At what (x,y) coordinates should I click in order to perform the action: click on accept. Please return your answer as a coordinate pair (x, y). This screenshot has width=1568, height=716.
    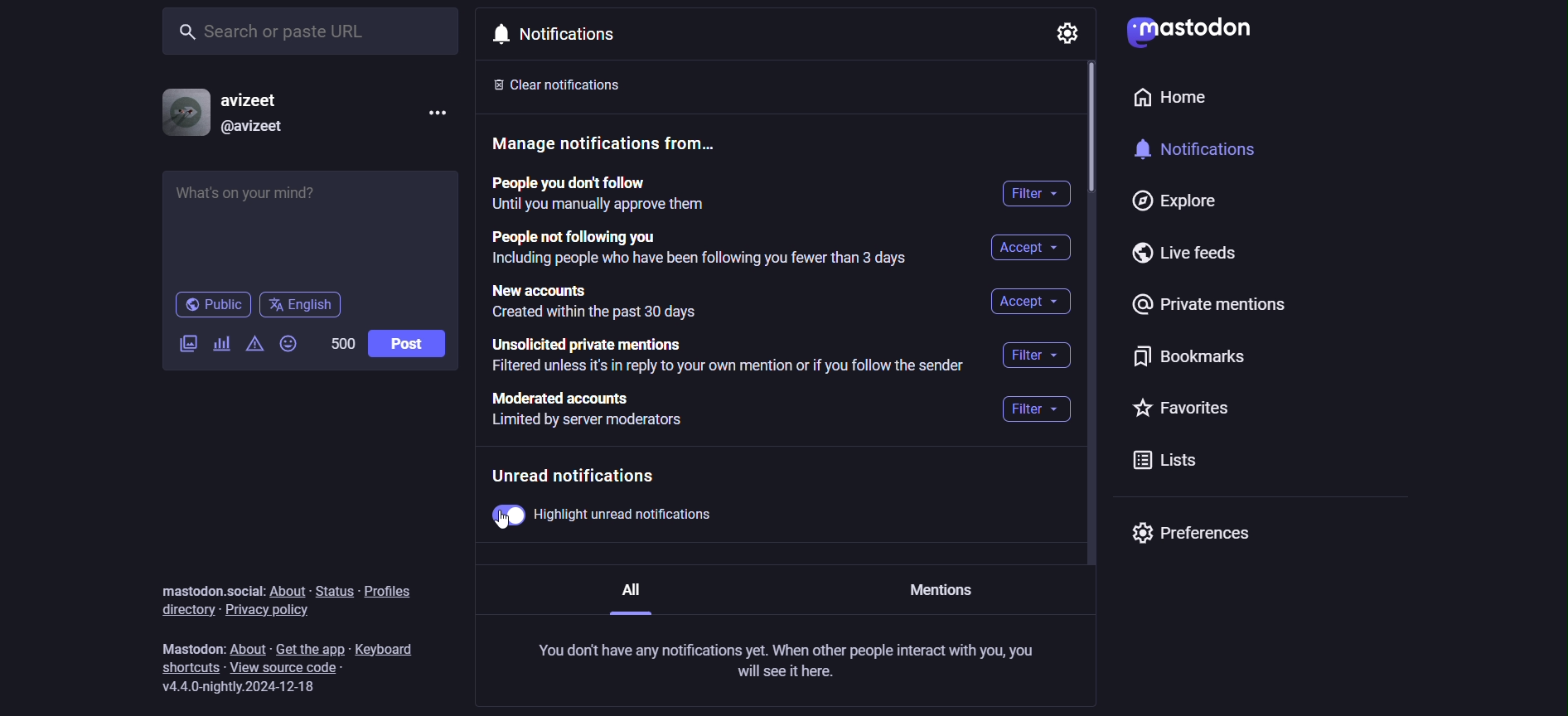
    Looking at the image, I should click on (1026, 248).